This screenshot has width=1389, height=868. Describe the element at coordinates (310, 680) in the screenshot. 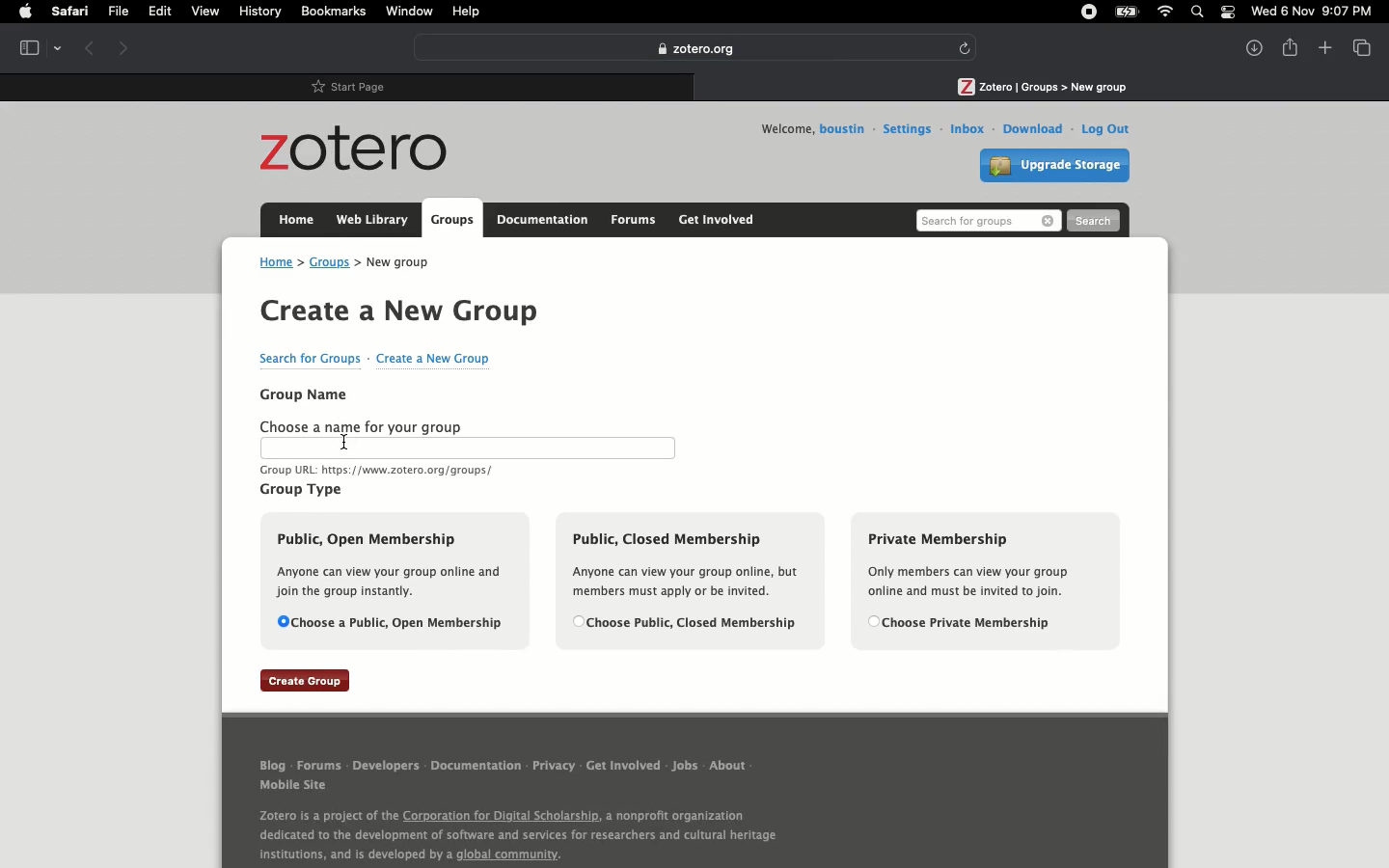

I see `Create group` at that location.